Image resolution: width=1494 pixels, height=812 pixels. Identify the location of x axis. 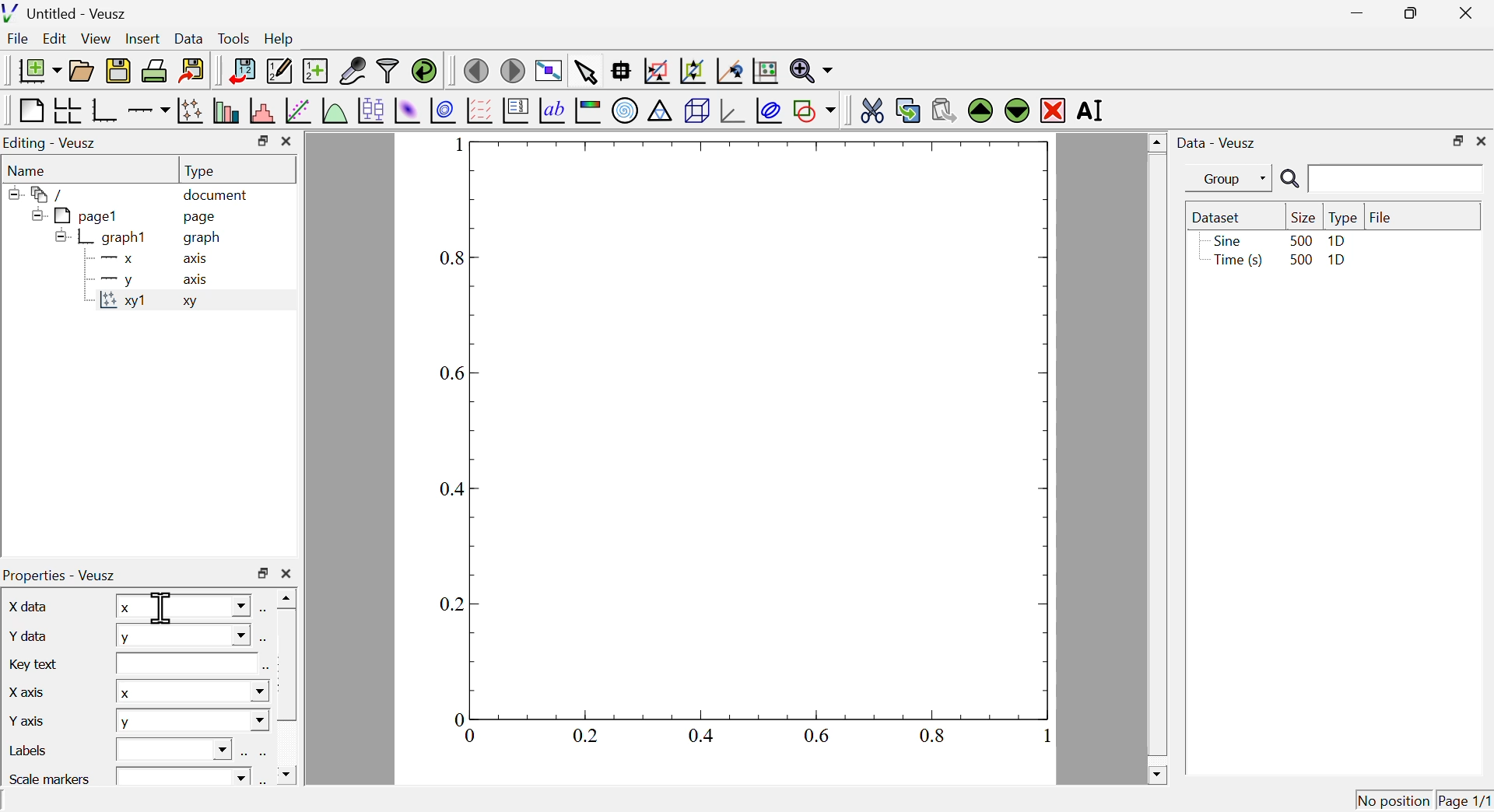
(26, 690).